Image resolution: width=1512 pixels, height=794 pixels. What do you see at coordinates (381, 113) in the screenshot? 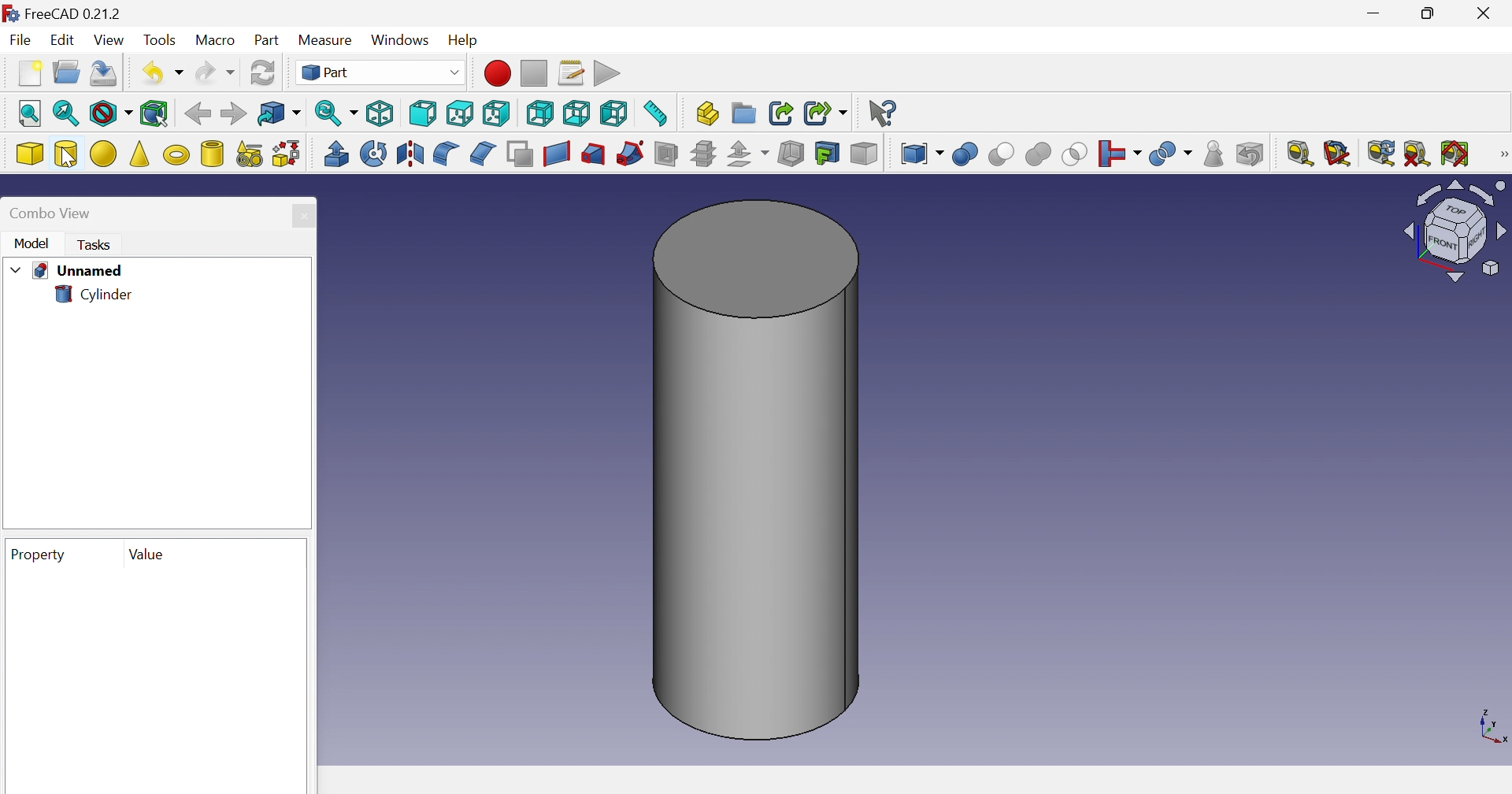
I see `Isometric` at bounding box center [381, 113].